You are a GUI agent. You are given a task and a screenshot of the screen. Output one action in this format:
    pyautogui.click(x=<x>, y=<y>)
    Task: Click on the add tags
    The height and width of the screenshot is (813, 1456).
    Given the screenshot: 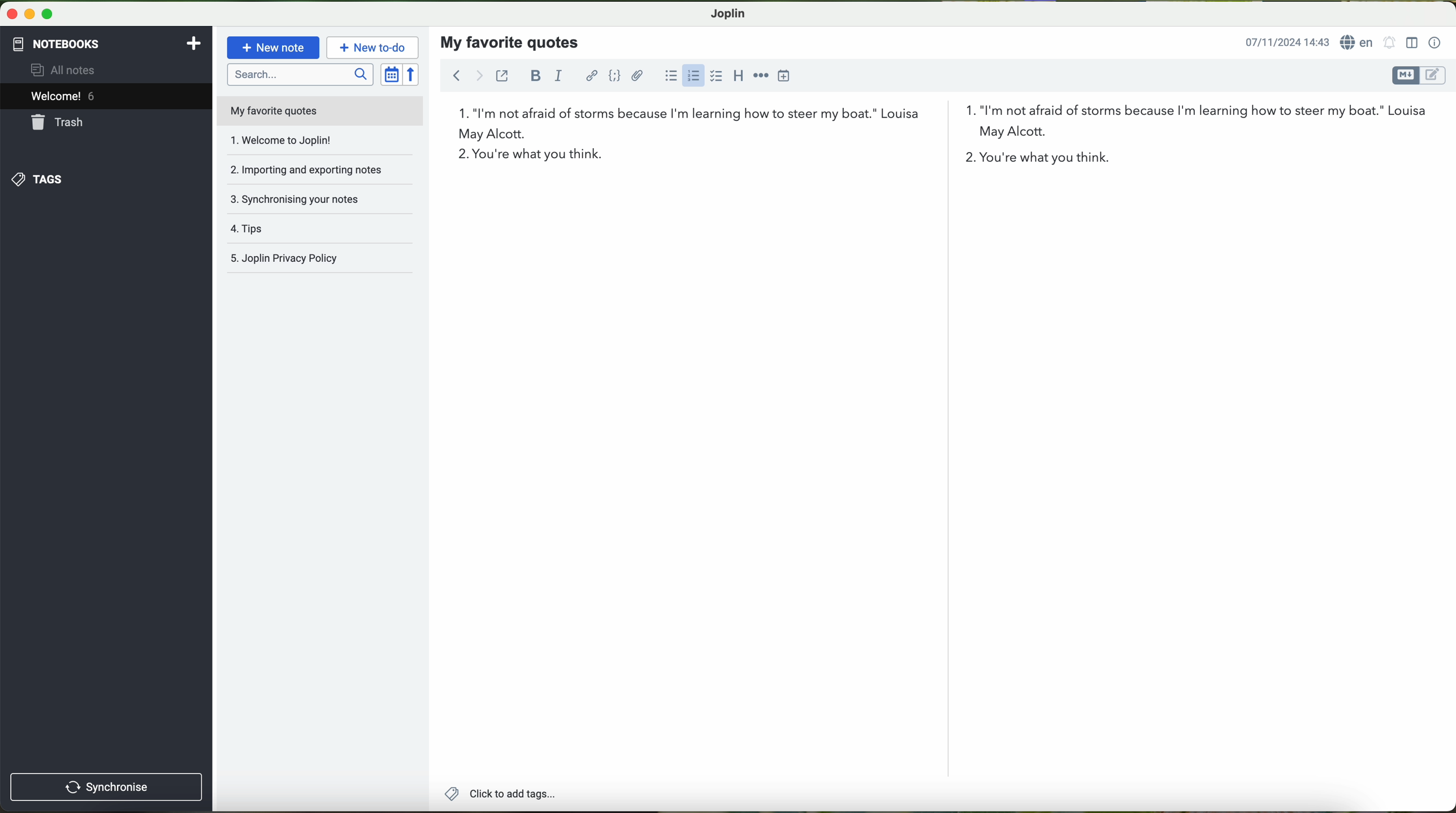 What is the action you would take?
    pyautogui.click(x=500, y=795)
    